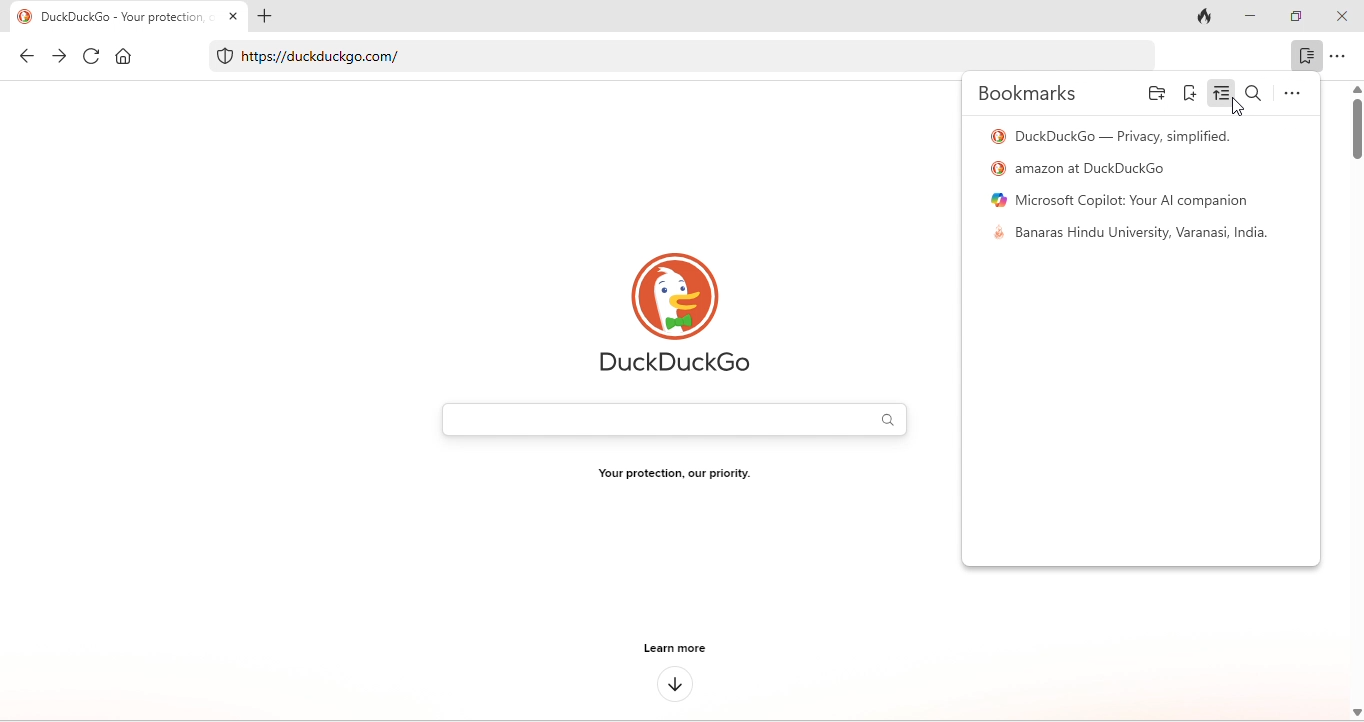 Image resolution: width=1364 pixels, height=722 pixels. What do you see at coordinates (89, 58) in the screenshot?
I see `refresh` at bounding box center [89, 58].